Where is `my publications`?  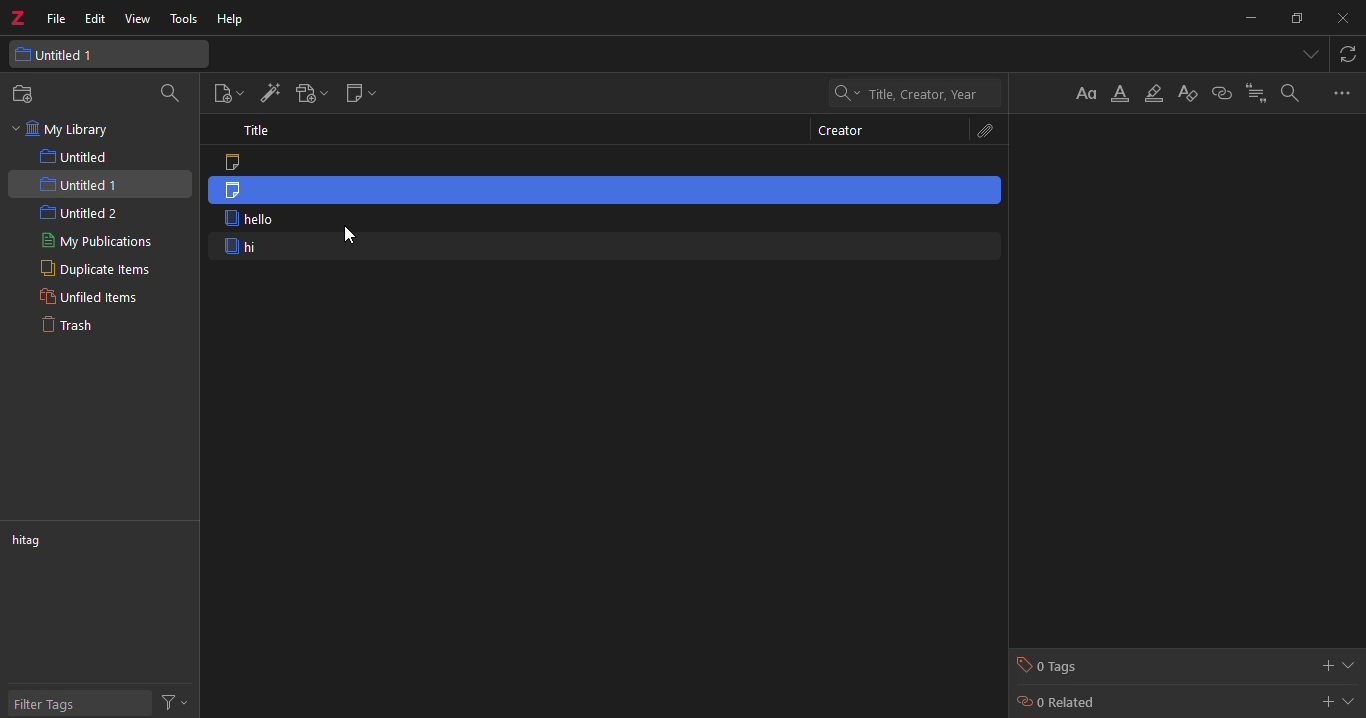 my publications is located at coordinates (98, 241).